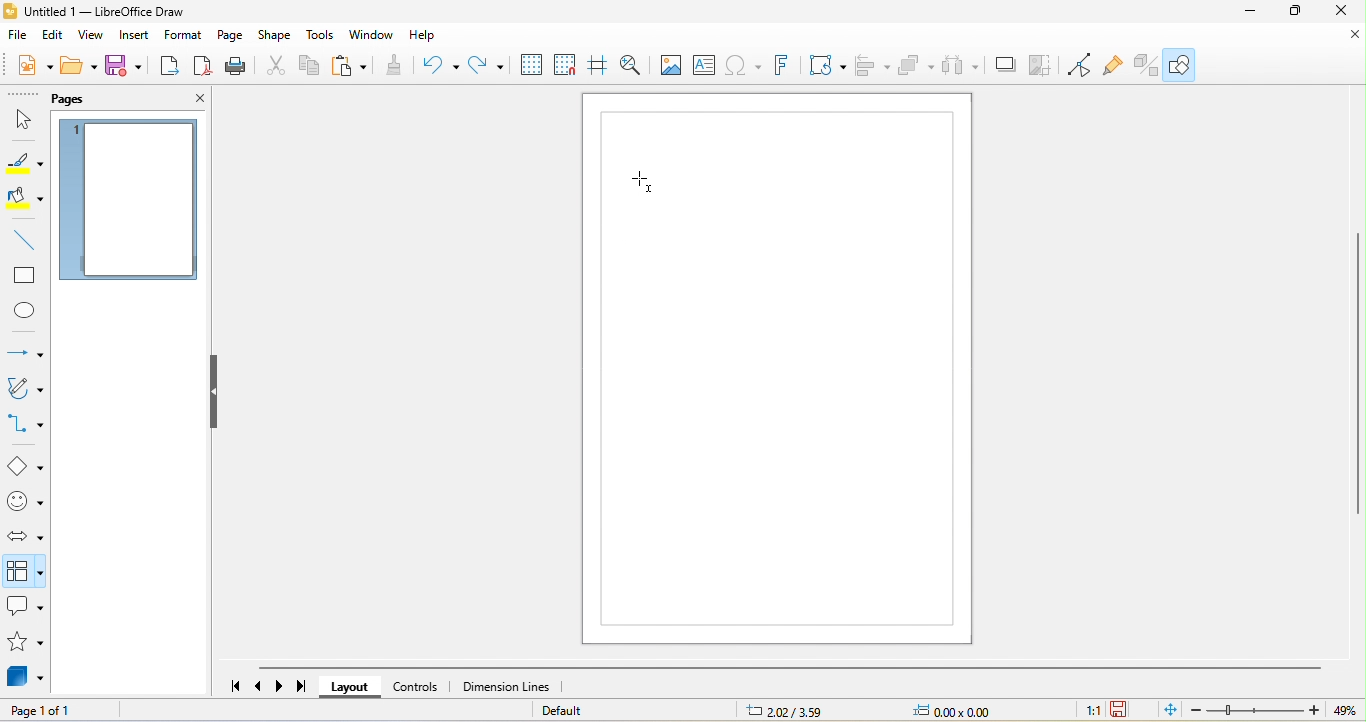 This screenshot has height=722, width=1366. Describe the element at coordinates (579, 710) in the screenshot. I see `default` at that location.